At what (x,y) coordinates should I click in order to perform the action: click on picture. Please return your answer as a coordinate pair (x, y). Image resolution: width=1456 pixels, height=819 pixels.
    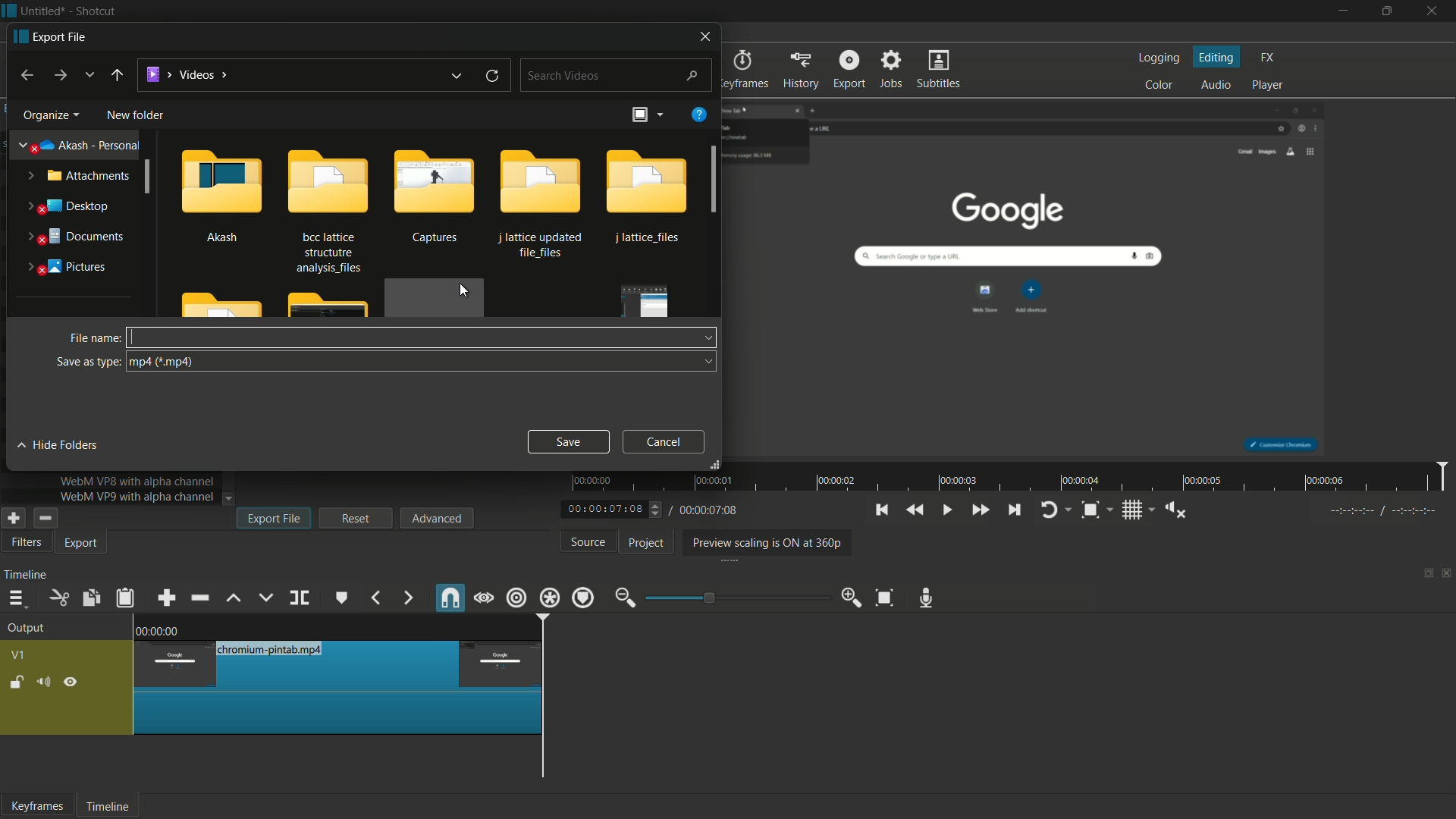
    Looking at the image, I should click on (66, 268).